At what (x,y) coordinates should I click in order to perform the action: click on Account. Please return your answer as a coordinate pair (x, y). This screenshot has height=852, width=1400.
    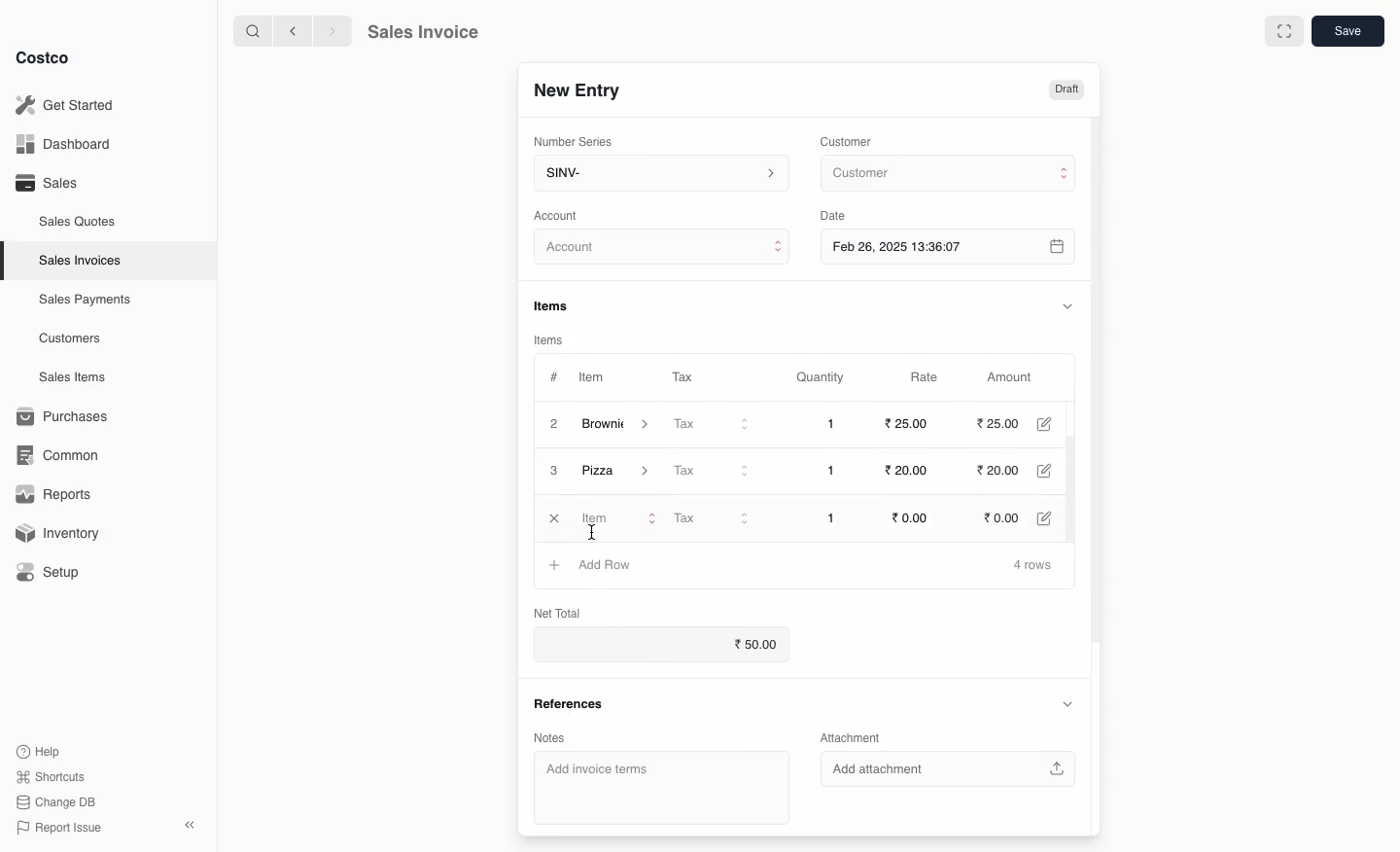
    Looking at the image, I should click on (663, 250).